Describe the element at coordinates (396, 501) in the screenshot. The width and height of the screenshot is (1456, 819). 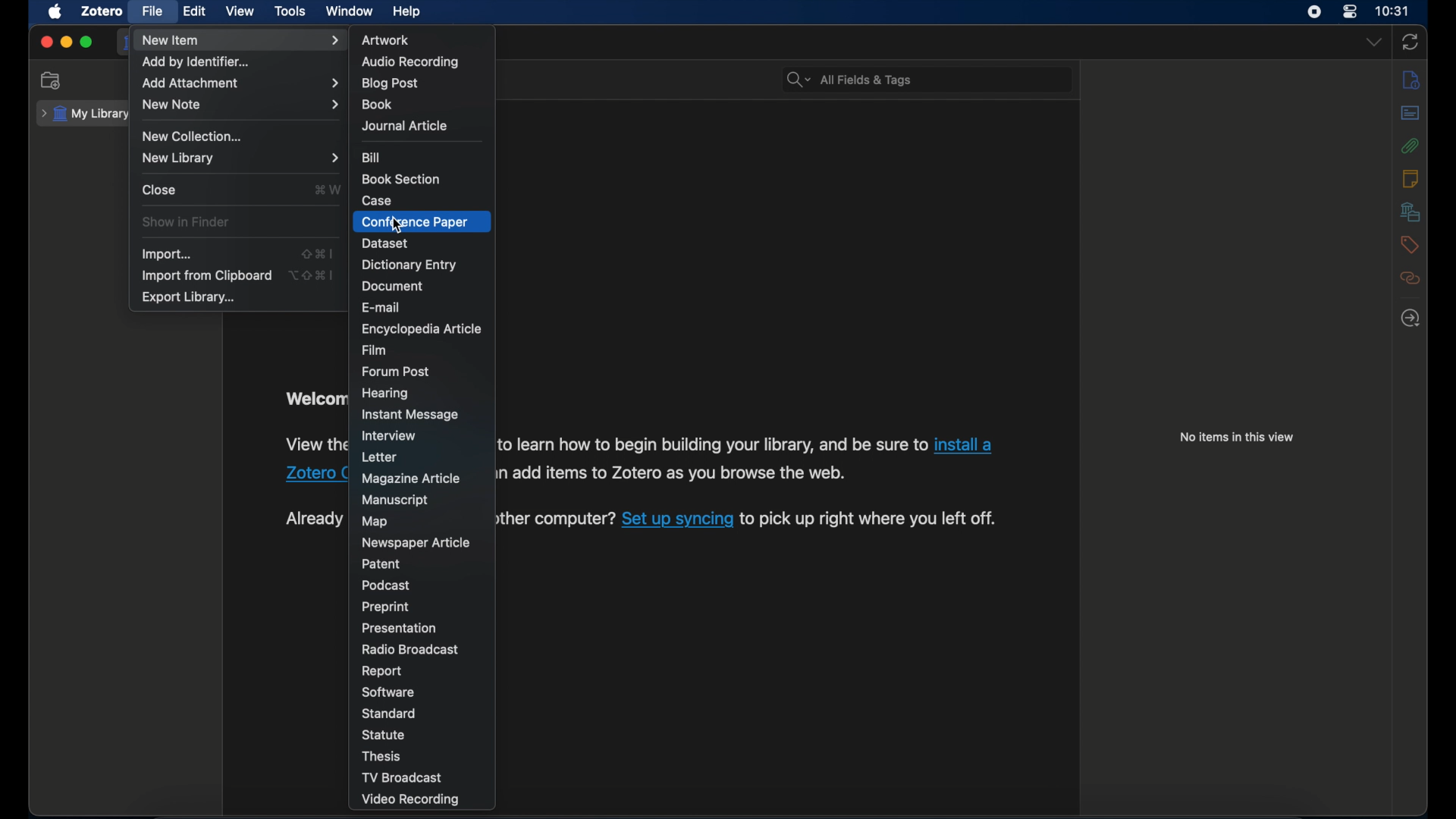
I see `manuscript` at that location.